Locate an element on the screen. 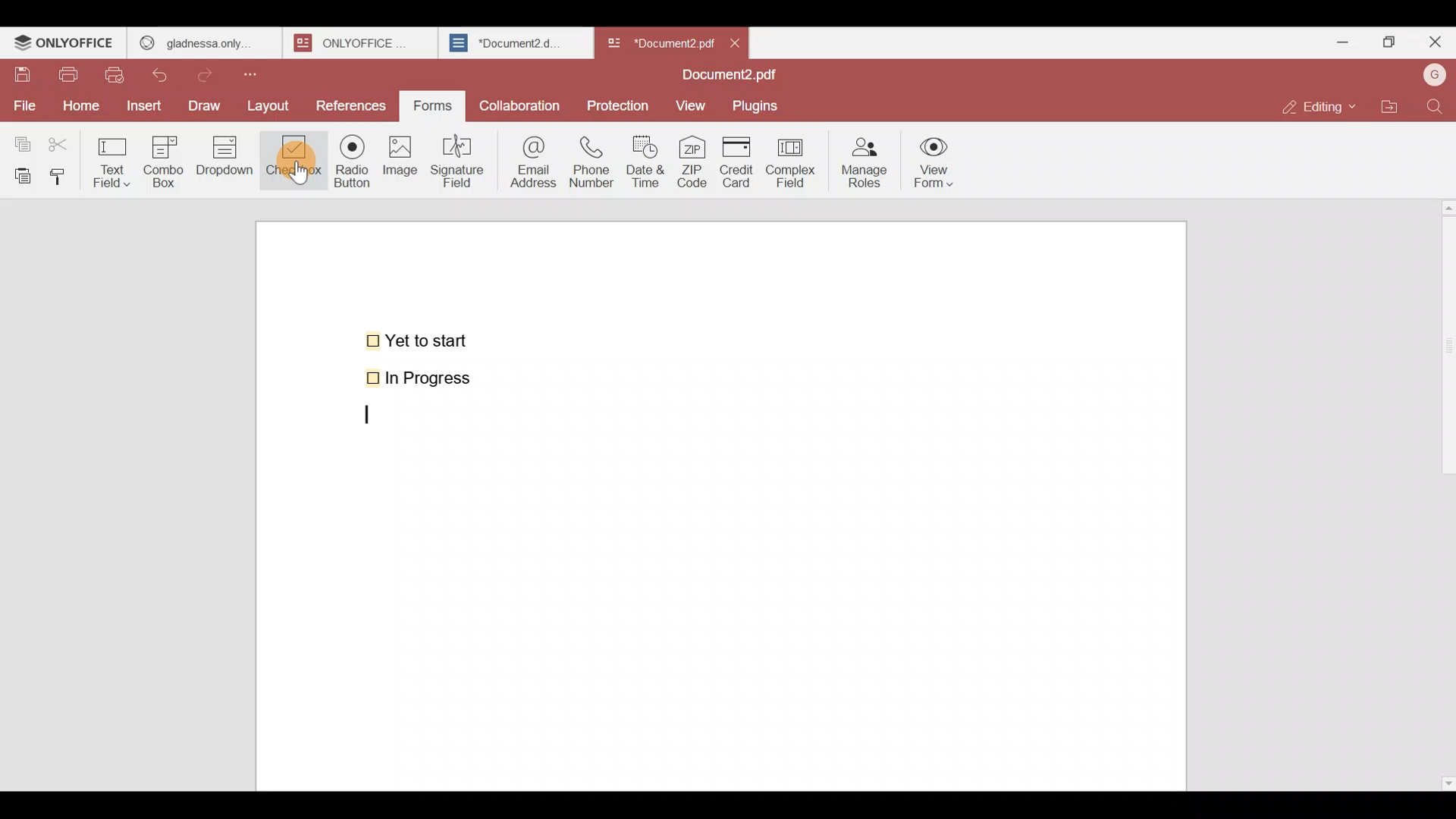 The height and width of the screenshot is (819, 1456). Radio is located at coordinates (347, 165).